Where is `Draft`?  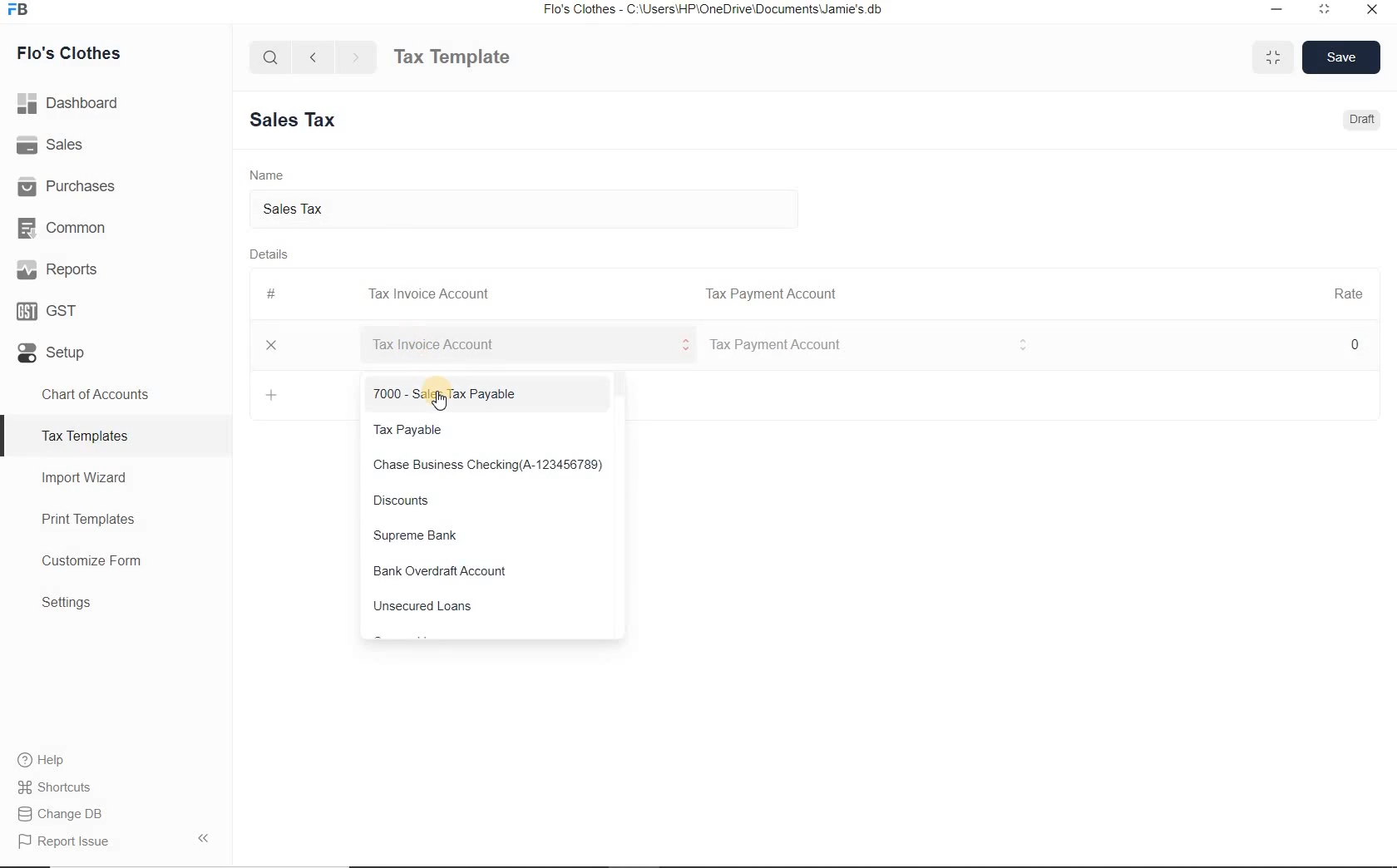 Draft is located at coordinates (1364, 119).